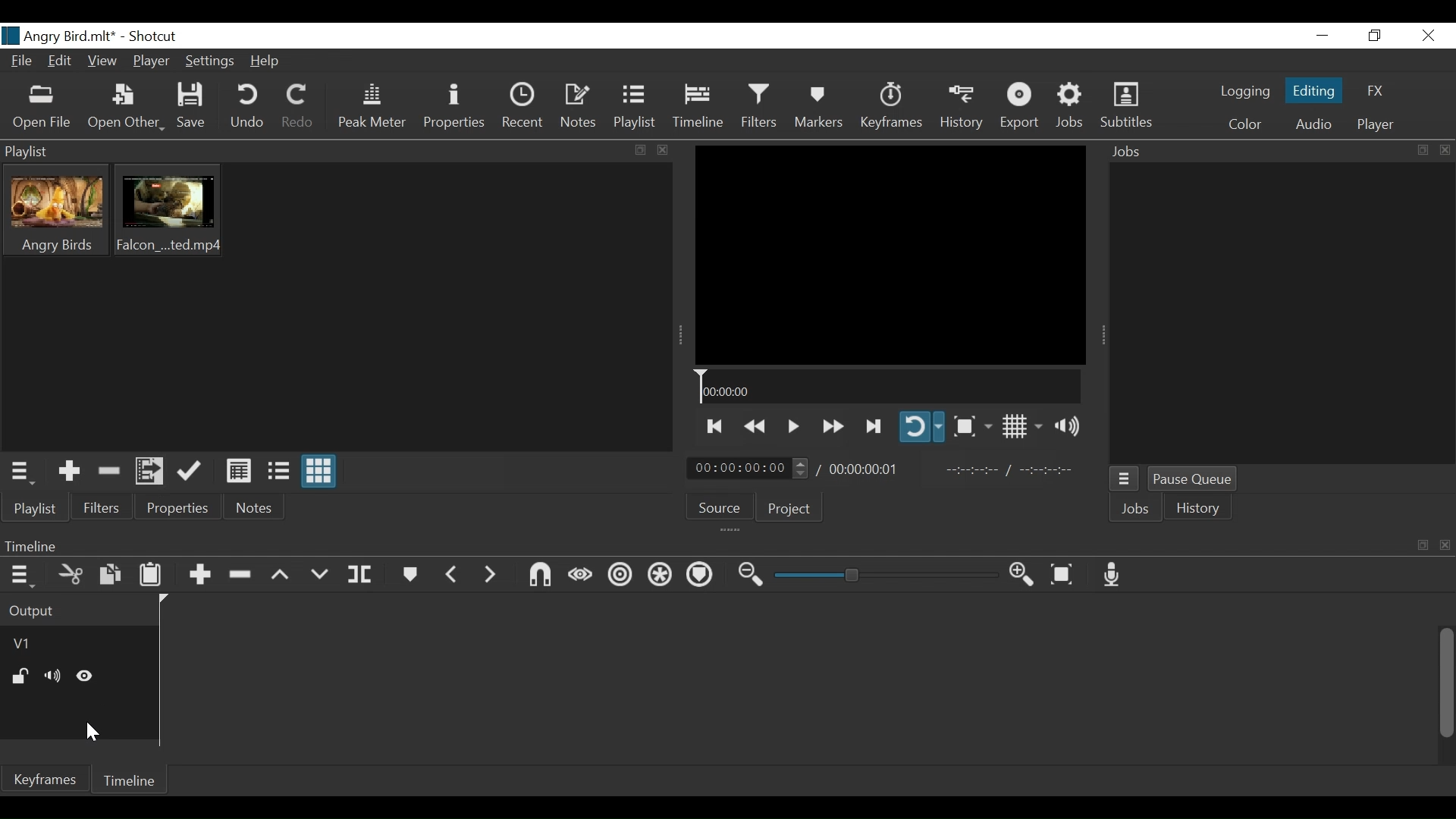 This screenshot has height=819, width=1456. Describe the element at coordinates (1376, 89) in the screenshot. I see `FX` at that location.